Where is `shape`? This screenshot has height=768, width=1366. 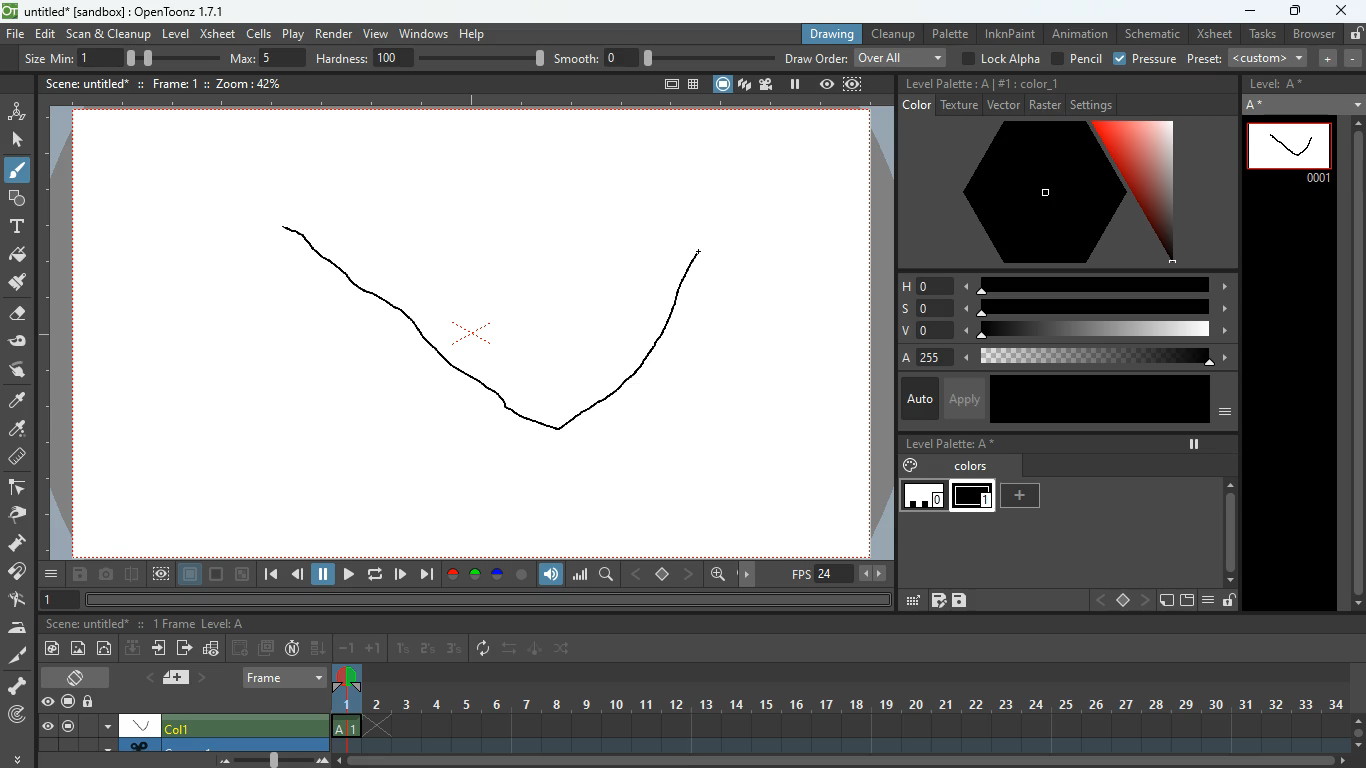 shape is located at coordinates (13, 197).